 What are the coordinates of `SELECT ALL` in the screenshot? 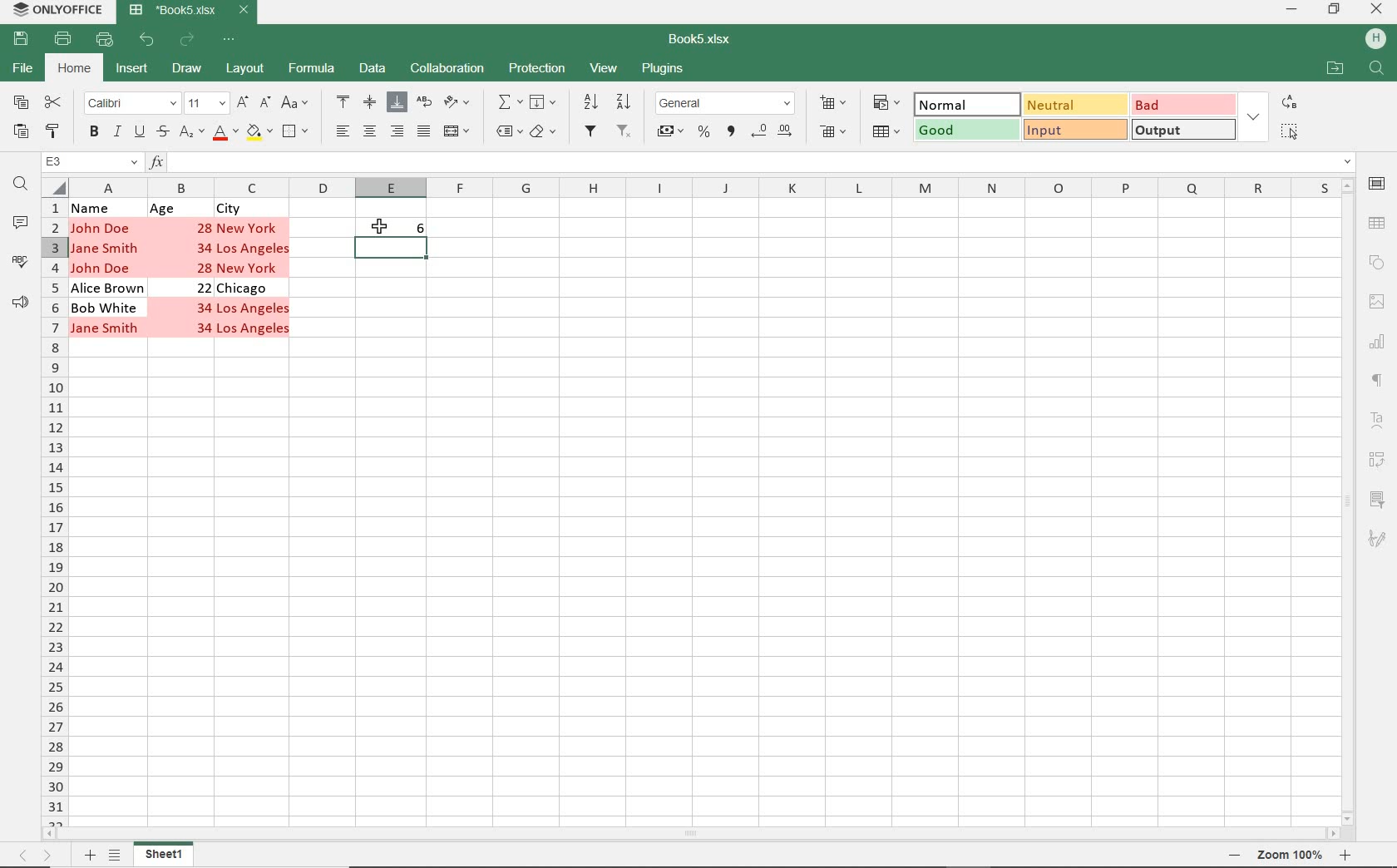 It's located at (1290, 133).